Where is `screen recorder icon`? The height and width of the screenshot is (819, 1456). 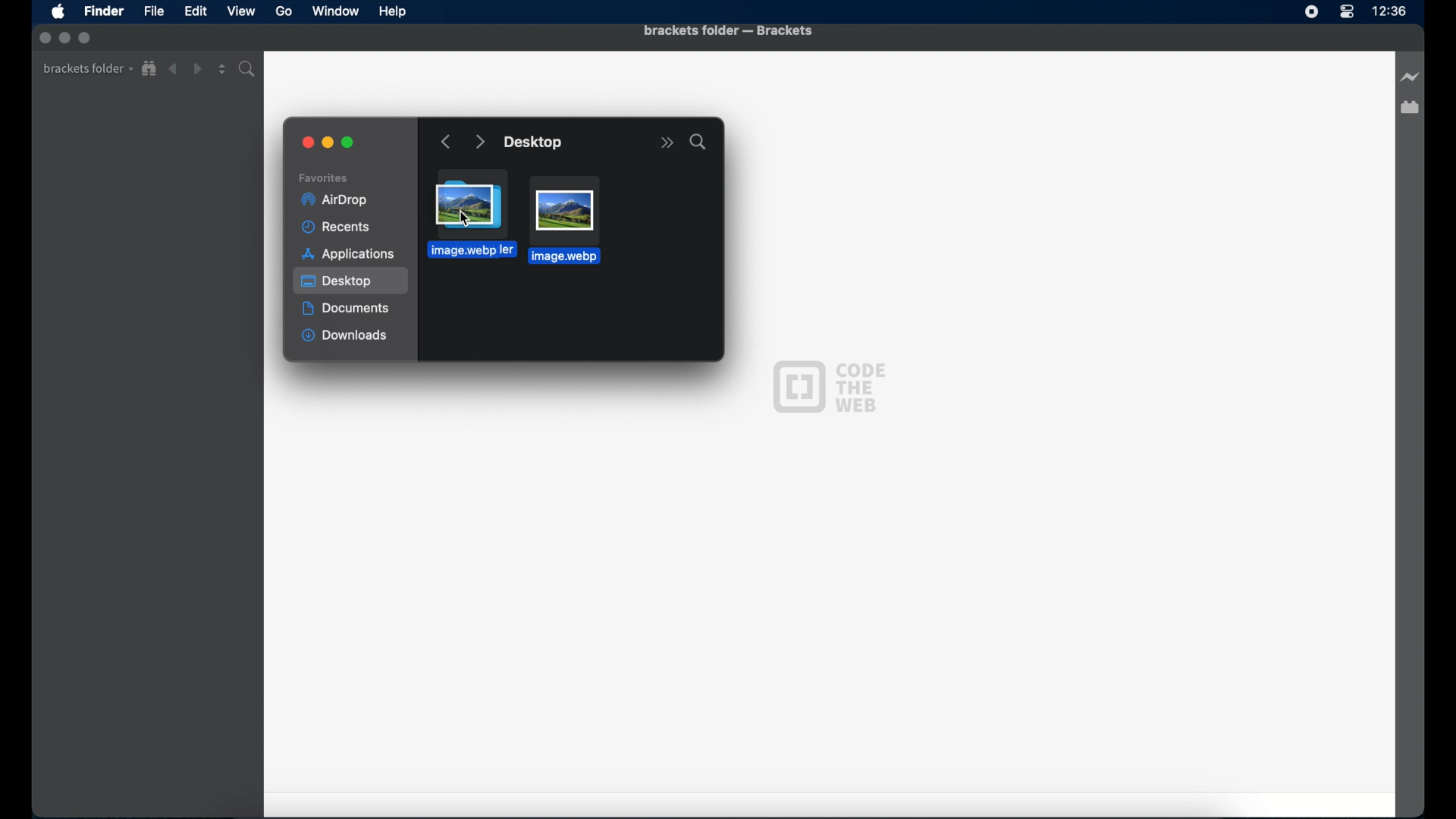 screen recorder icon is located at coordinates (1312, 13).